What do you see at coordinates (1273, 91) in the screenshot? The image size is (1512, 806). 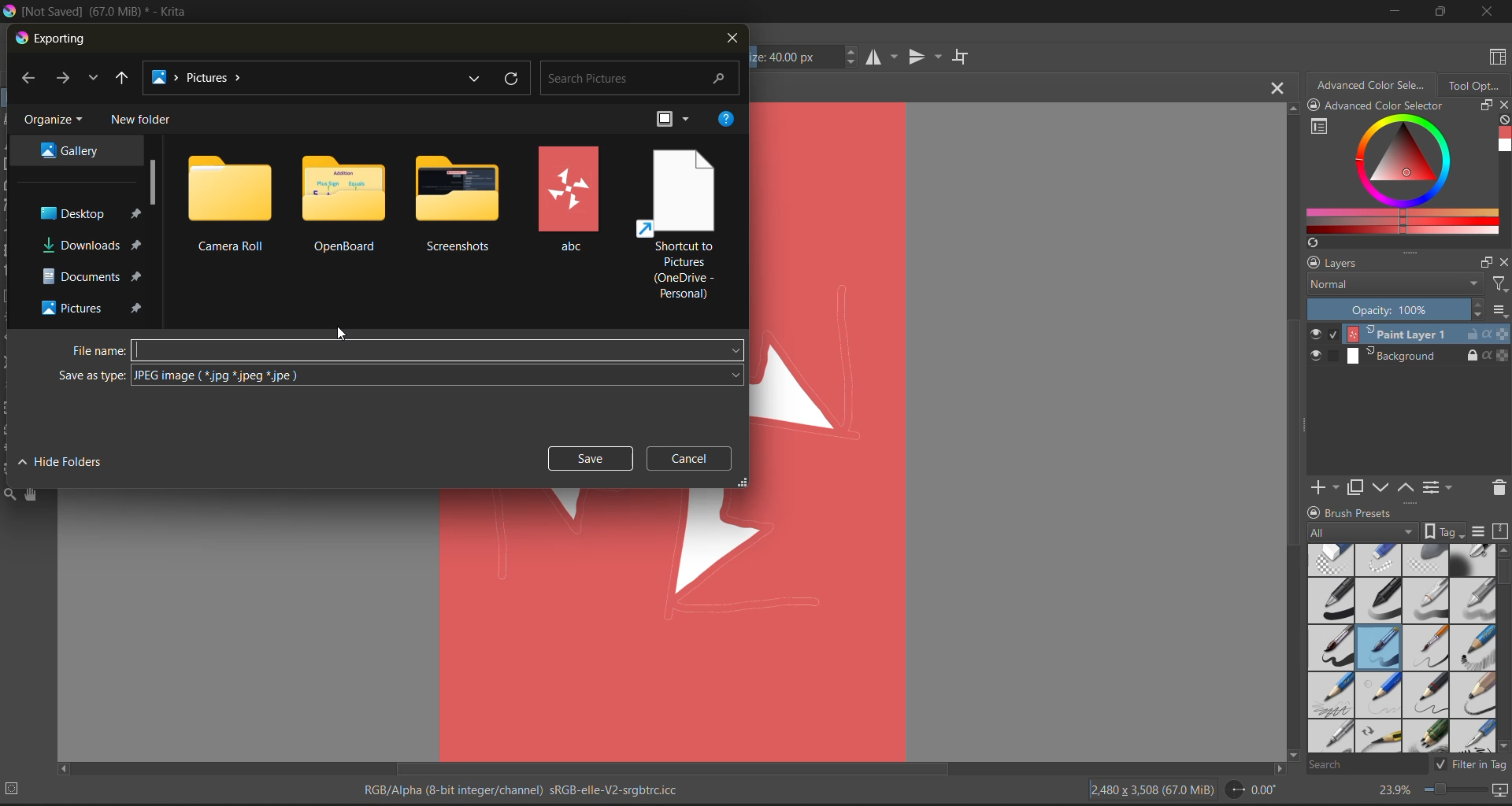 I see `close tab` at bounding box center [1273, 91].